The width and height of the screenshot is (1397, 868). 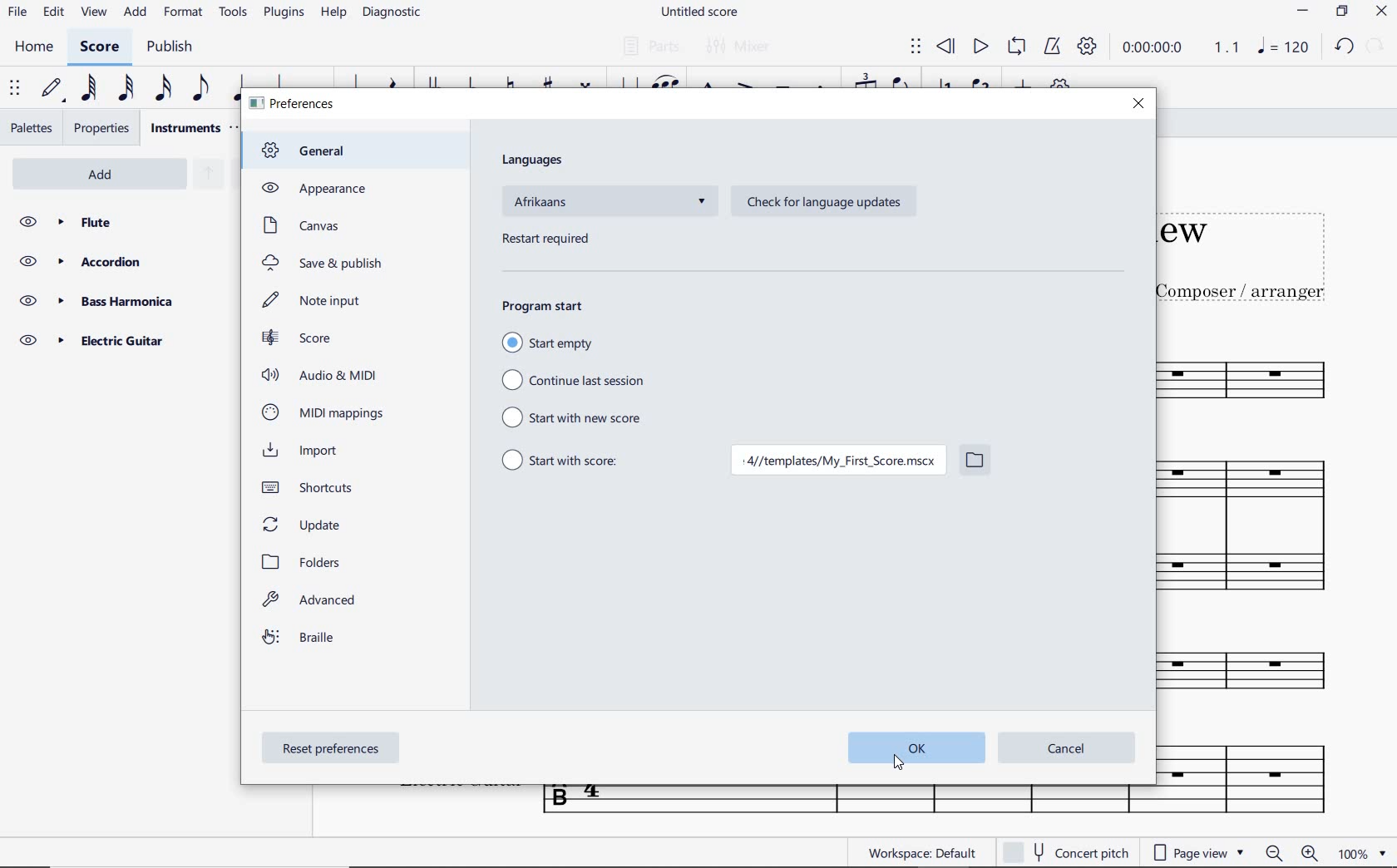 I want to click on zoom factor, so click(x=1358, y=853).